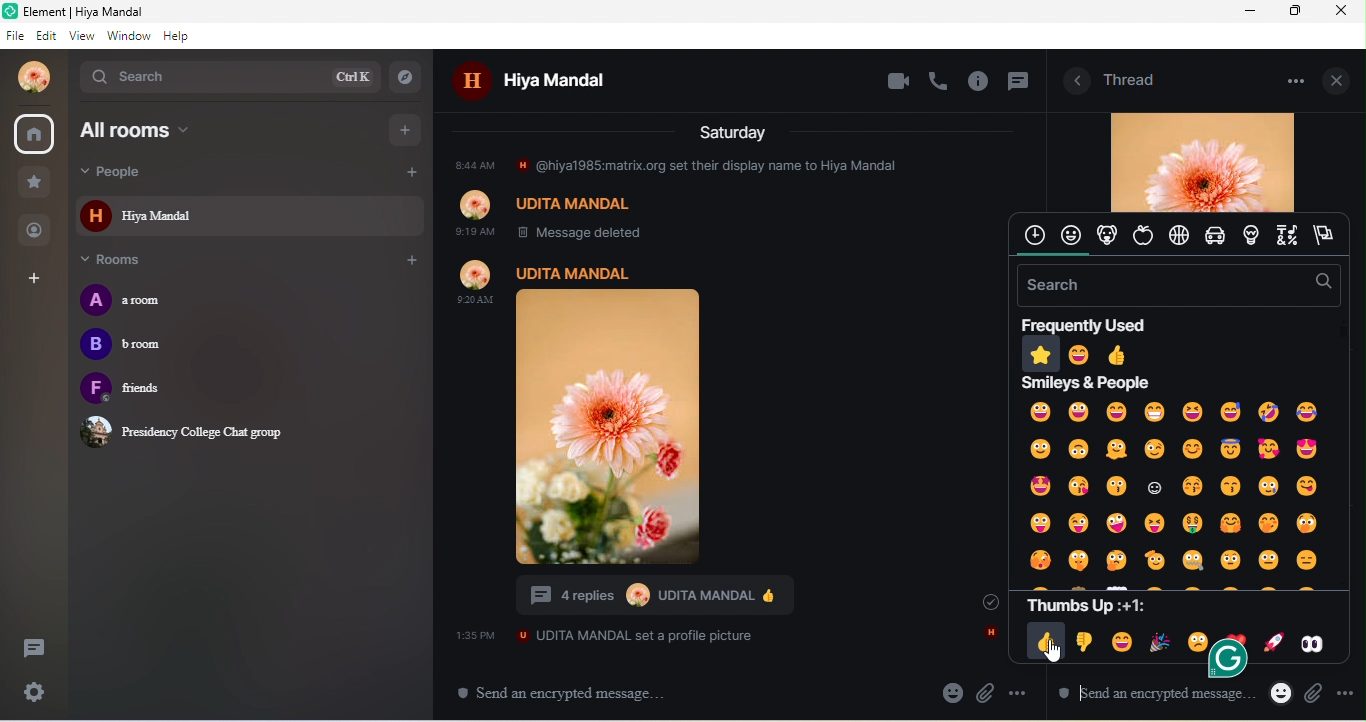 The height and width of the screenshot is (722, 1366). I want to click on Reacted to multiple messages in a row using emoji, so click(651, 598).